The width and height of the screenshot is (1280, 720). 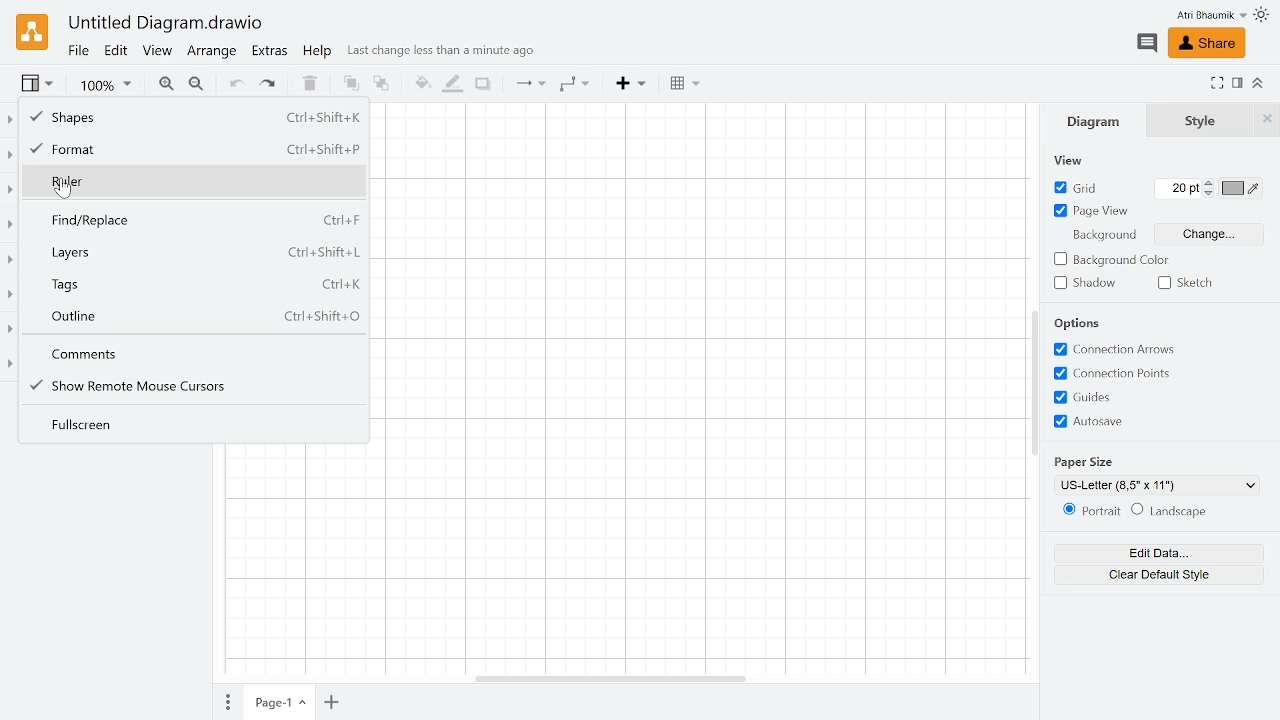 What do you see at coordinates (612, 678) in the screenshot?
I see `Horizontal scrolbar` at bounding box center [612, 678].